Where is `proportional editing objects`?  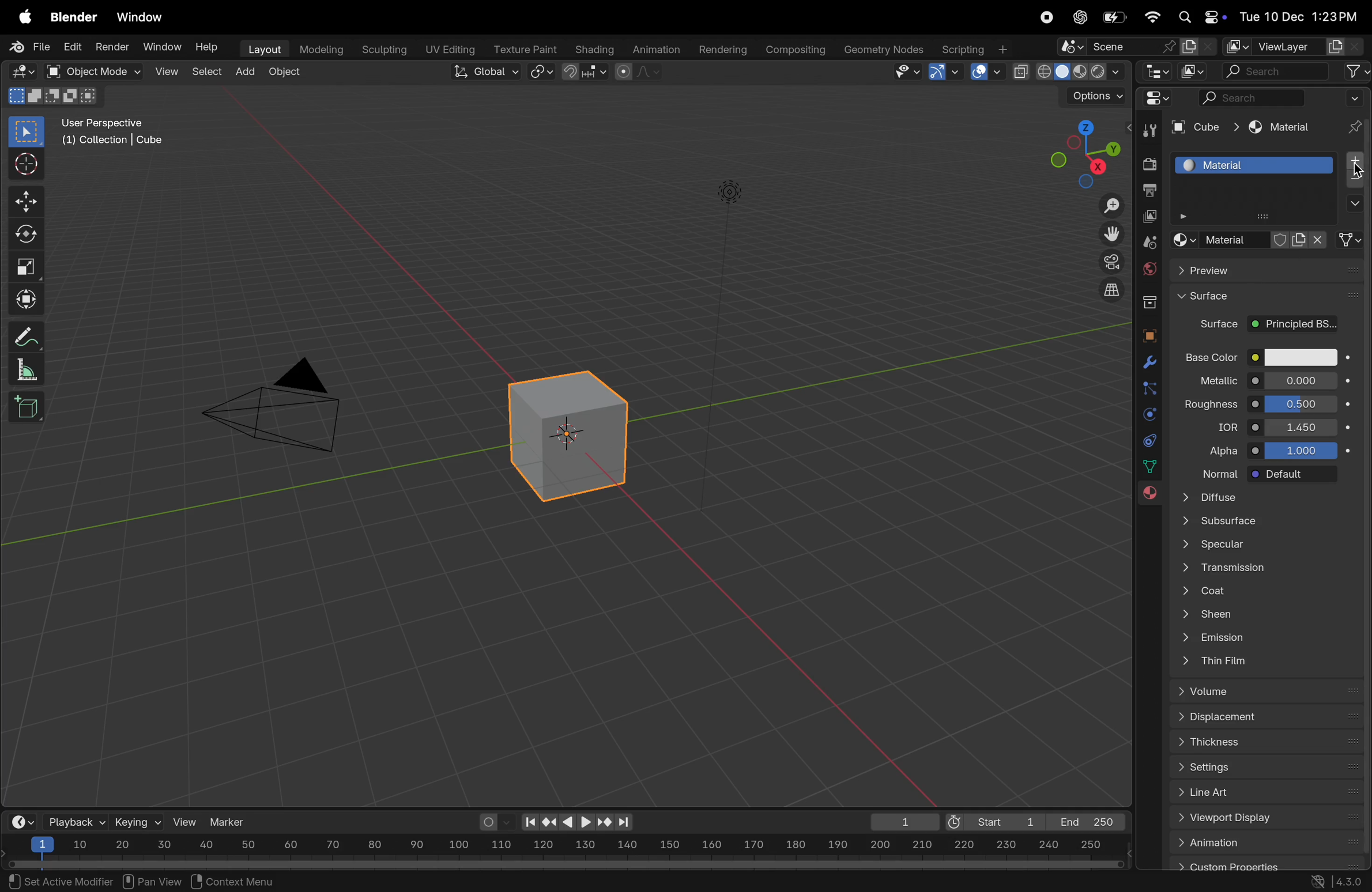
proportional editing objects is located at coordinates (640, 73).